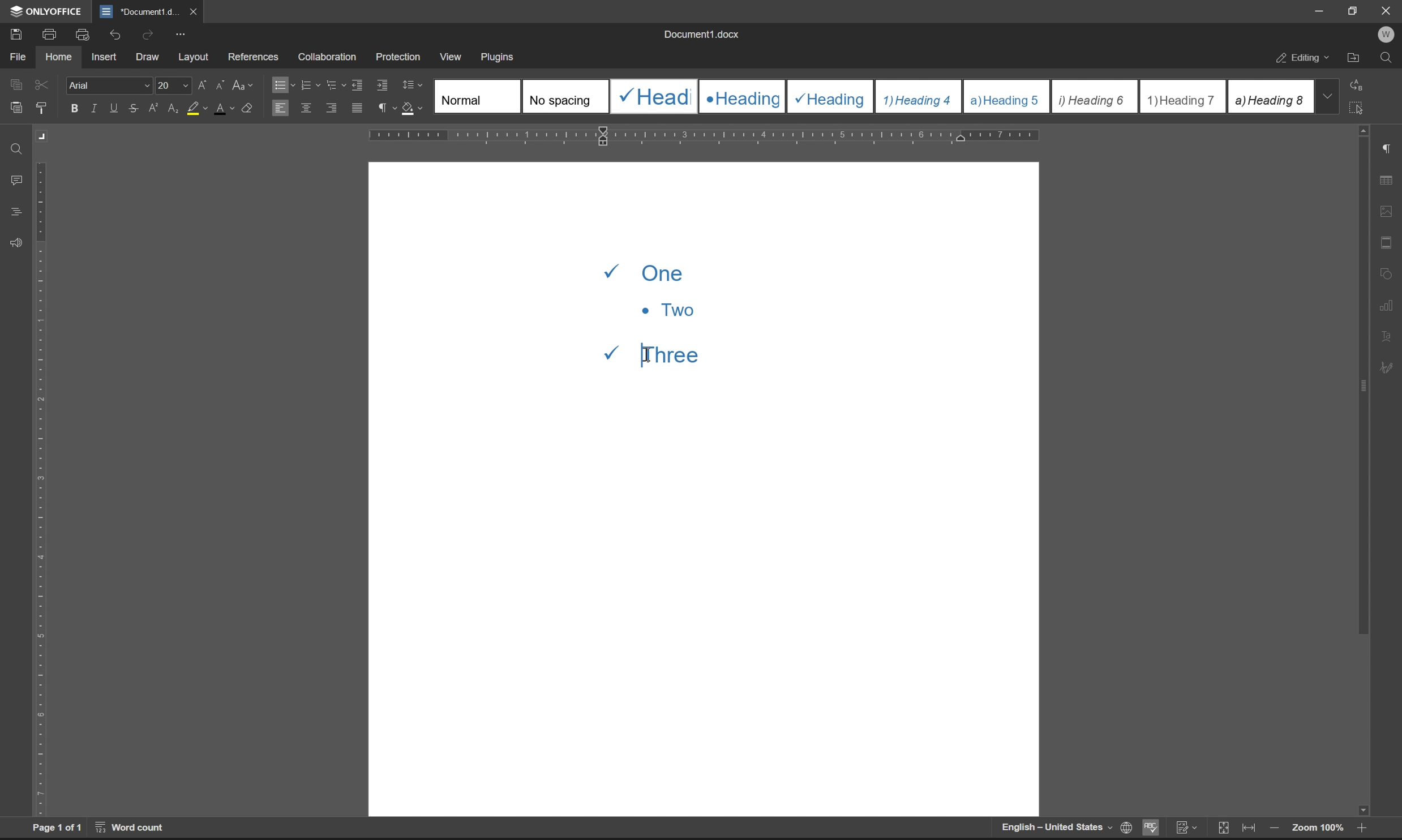 The width and height of the screenshot is (1402, 840). Describe the element at coordinates (1354, 59) in the screenshot. I see `open file location` at that location.